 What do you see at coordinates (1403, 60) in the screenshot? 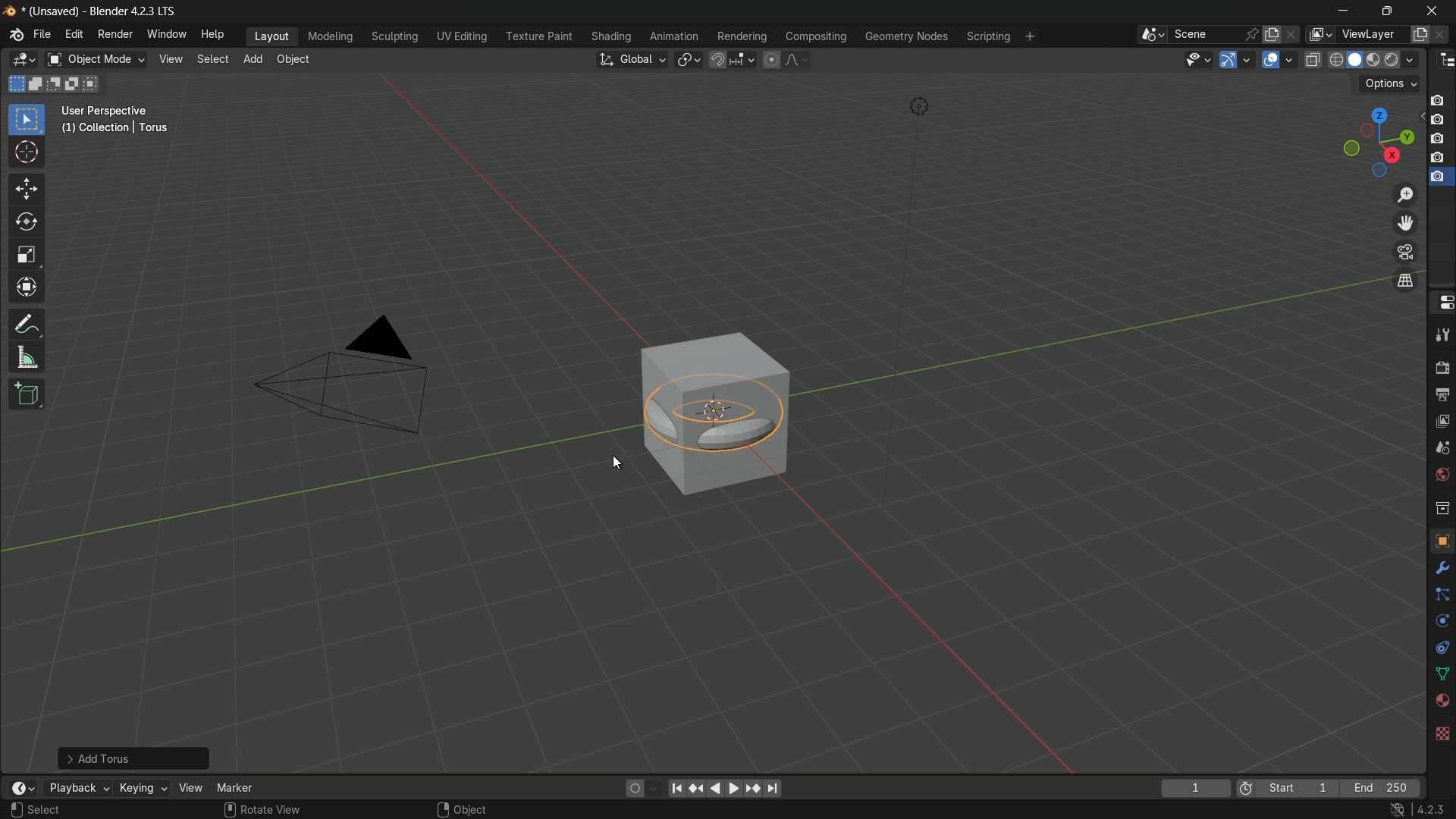
I see `material preview` at bounding box center [1403, 60].